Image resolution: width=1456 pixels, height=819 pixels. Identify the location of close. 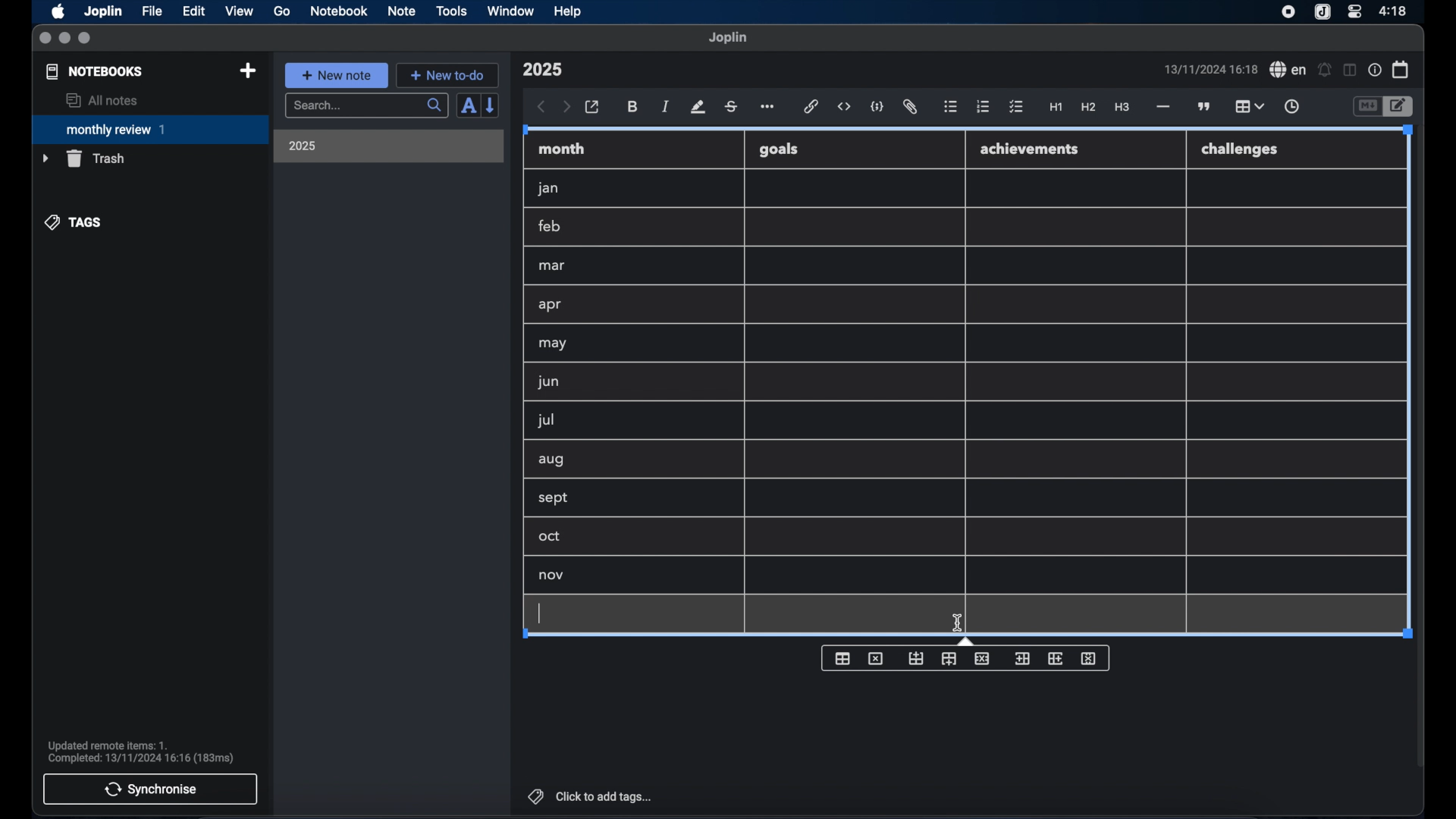
(45, 39).